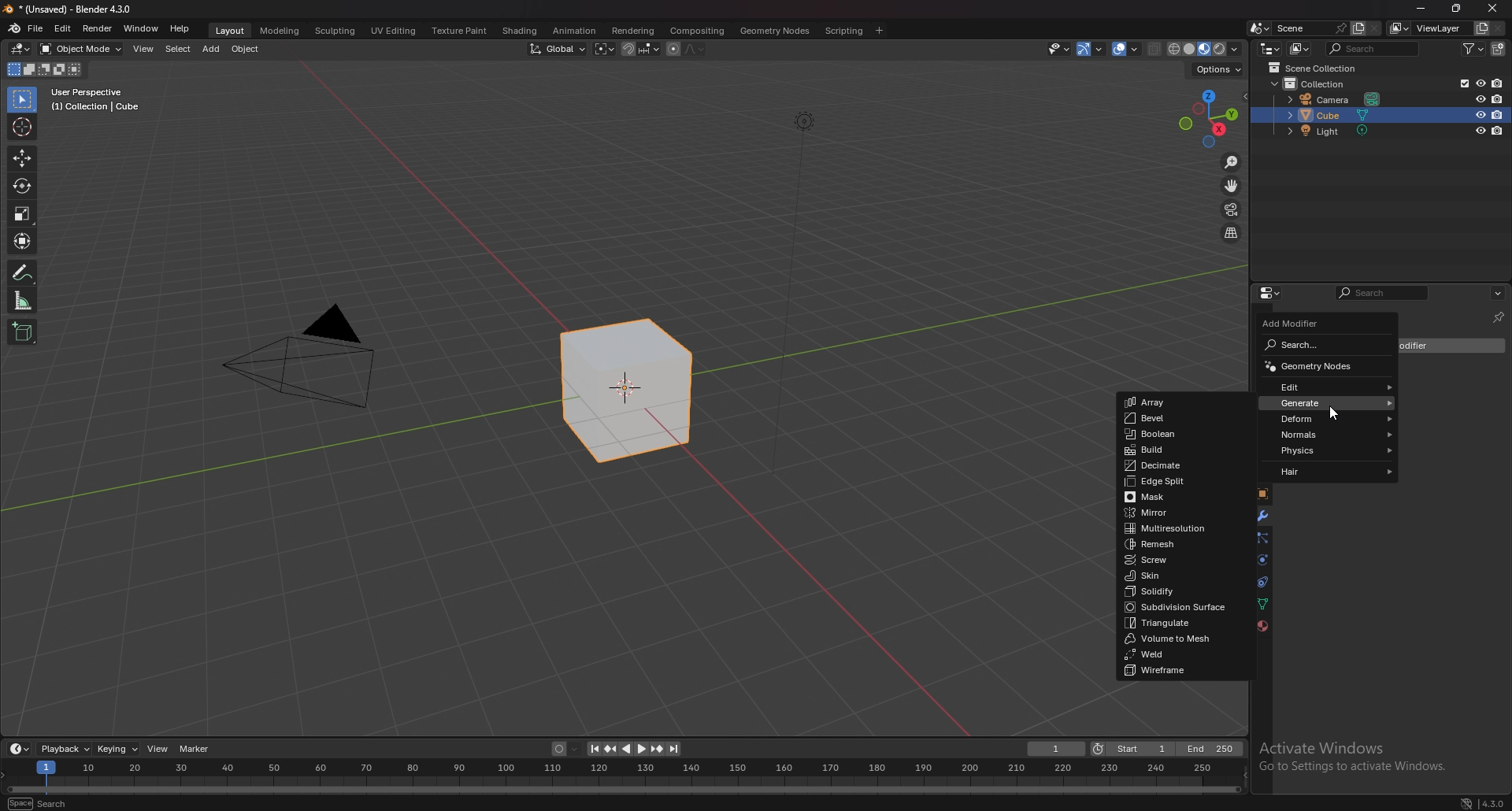 The image size is (1512, 811). Describe the element at coordinates (1232, 186) in the screenshot. I see `move` at that location.